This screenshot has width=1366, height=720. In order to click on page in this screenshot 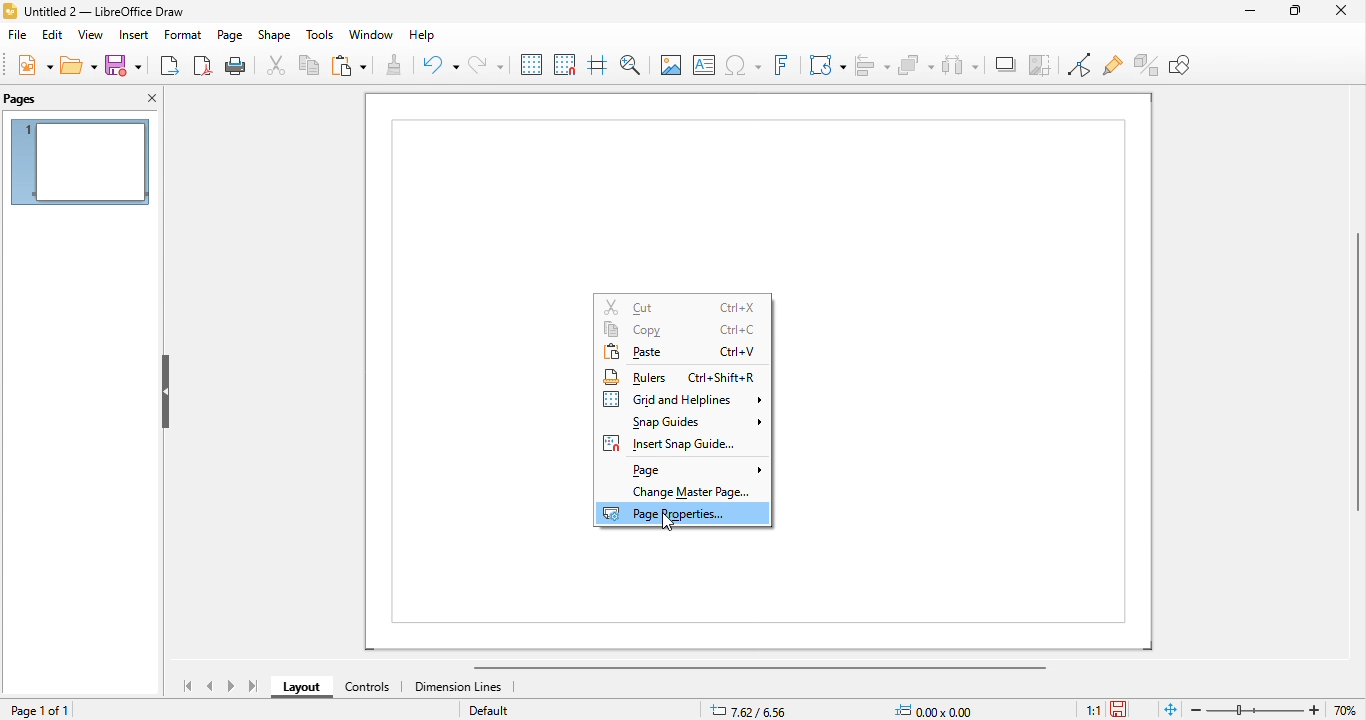, I will do `click(695, 470)`.